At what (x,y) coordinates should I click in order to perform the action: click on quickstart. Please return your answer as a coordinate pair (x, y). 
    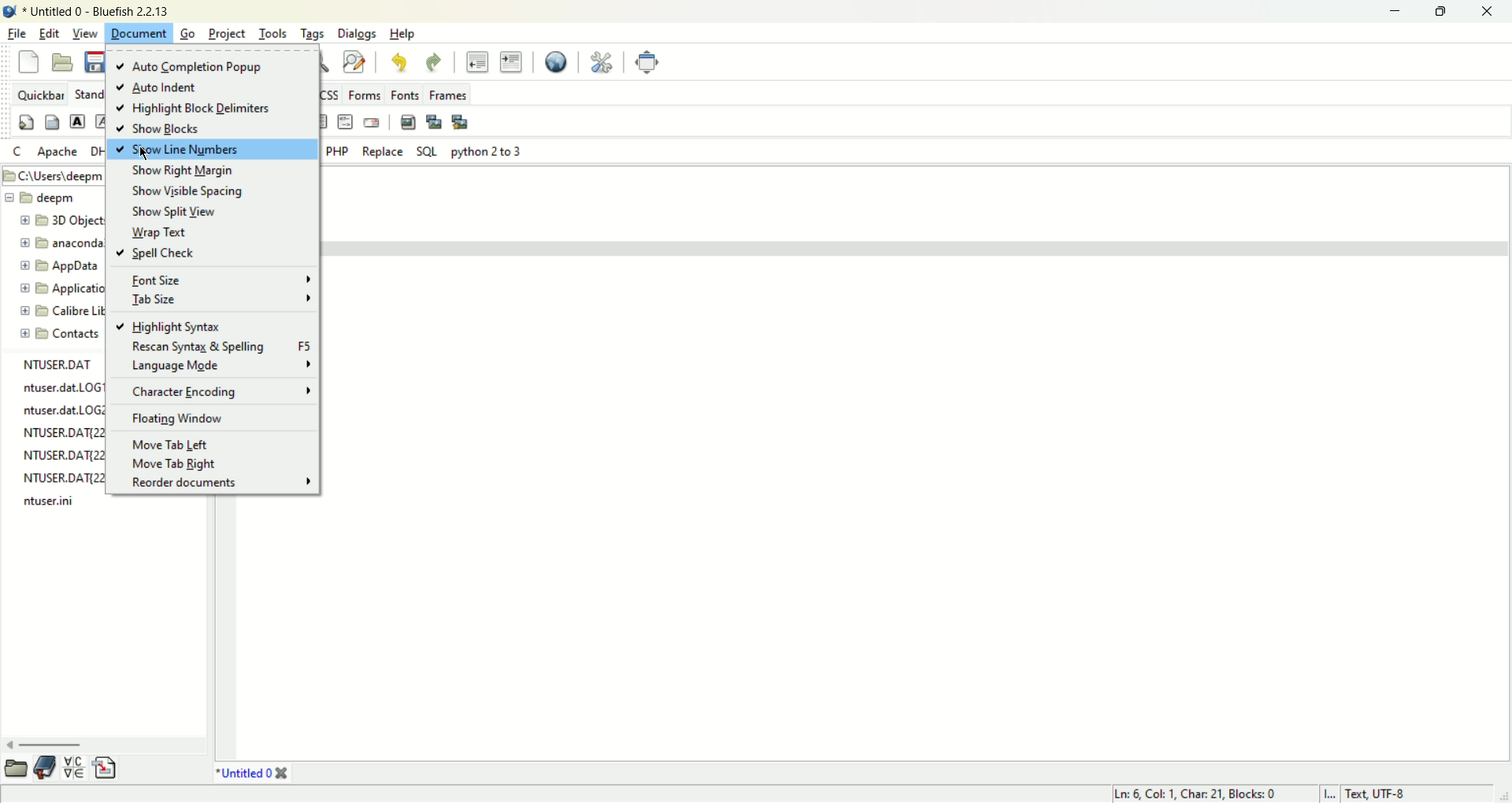
    Looking at the image, I should click on (24, 123).